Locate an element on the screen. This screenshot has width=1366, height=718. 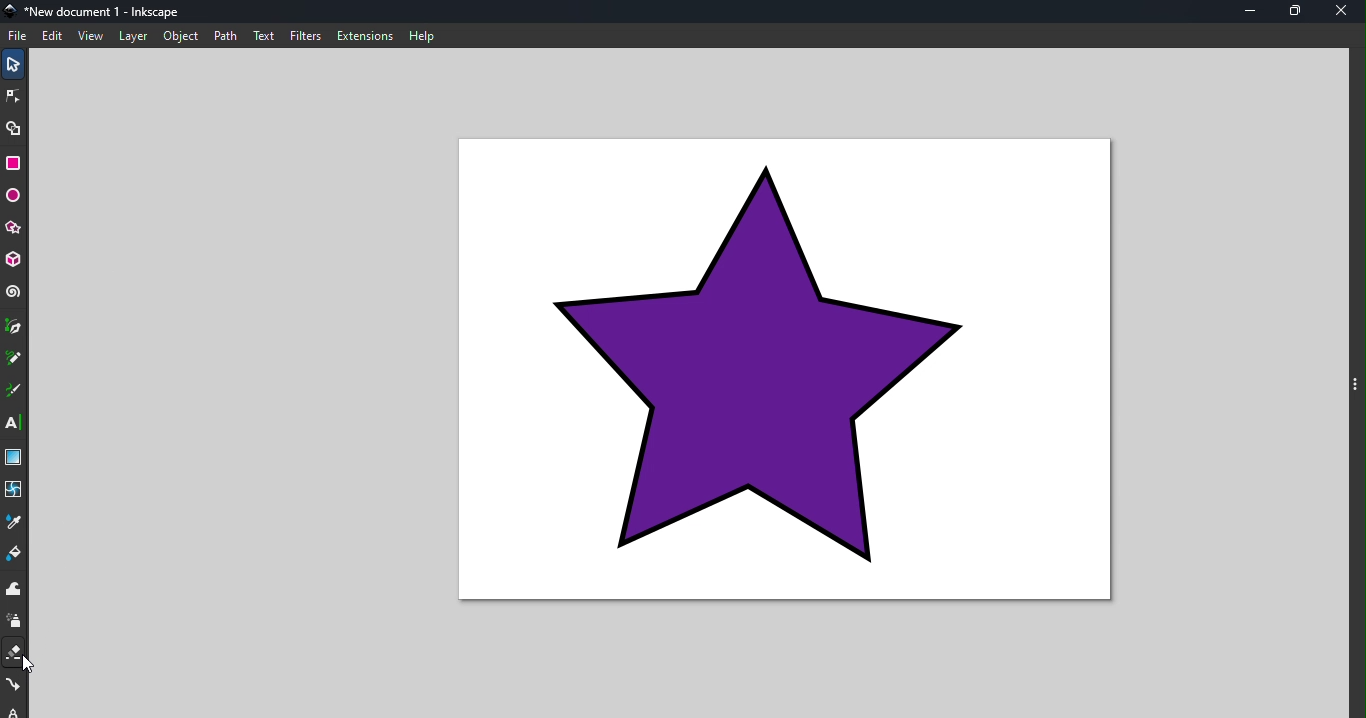
pen tool is located at coordinates (14, 327).